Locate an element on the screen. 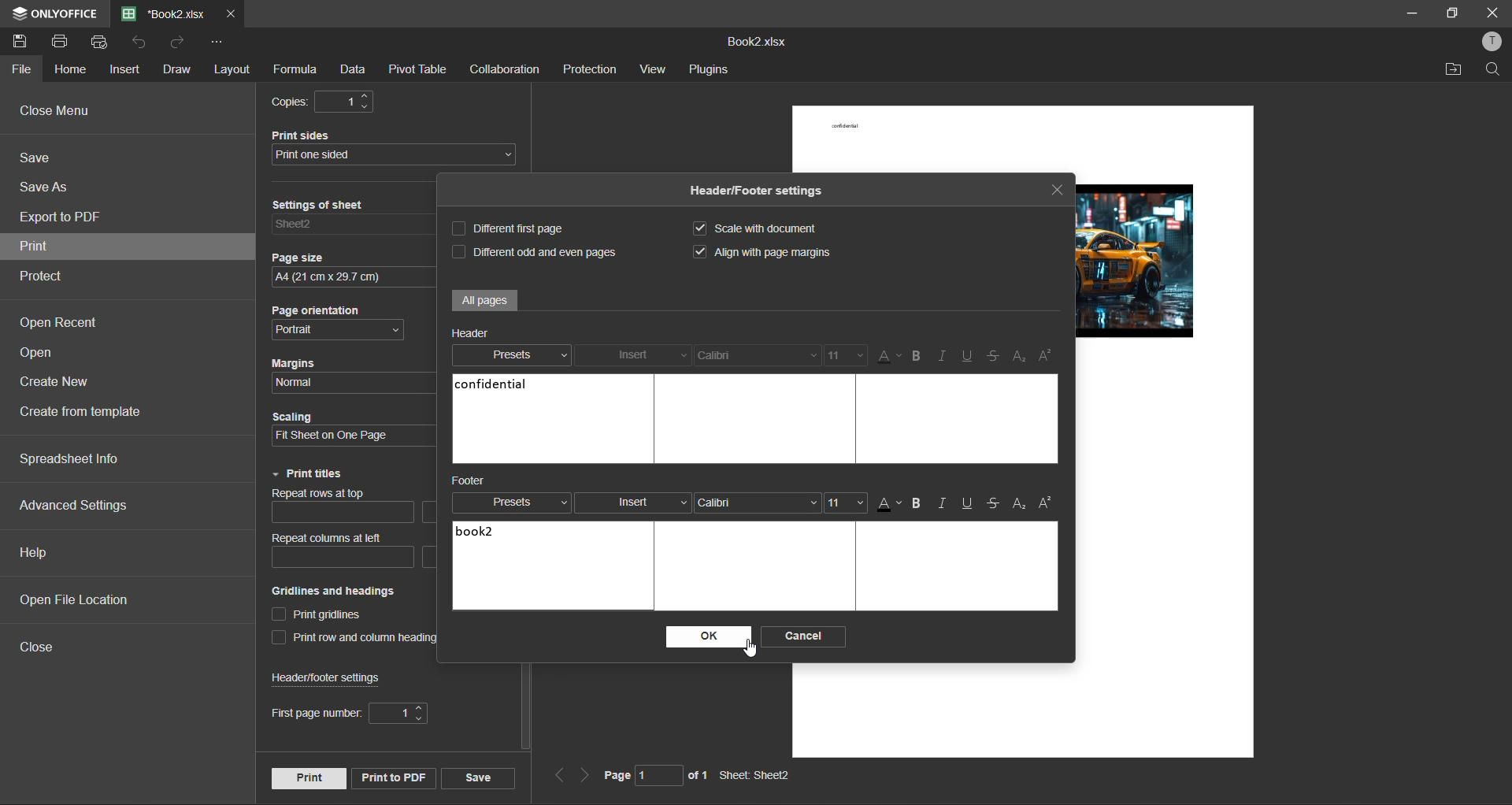 The width and height of the screenshot is (1512, 805). close menu is located at coordinates (60, 110).